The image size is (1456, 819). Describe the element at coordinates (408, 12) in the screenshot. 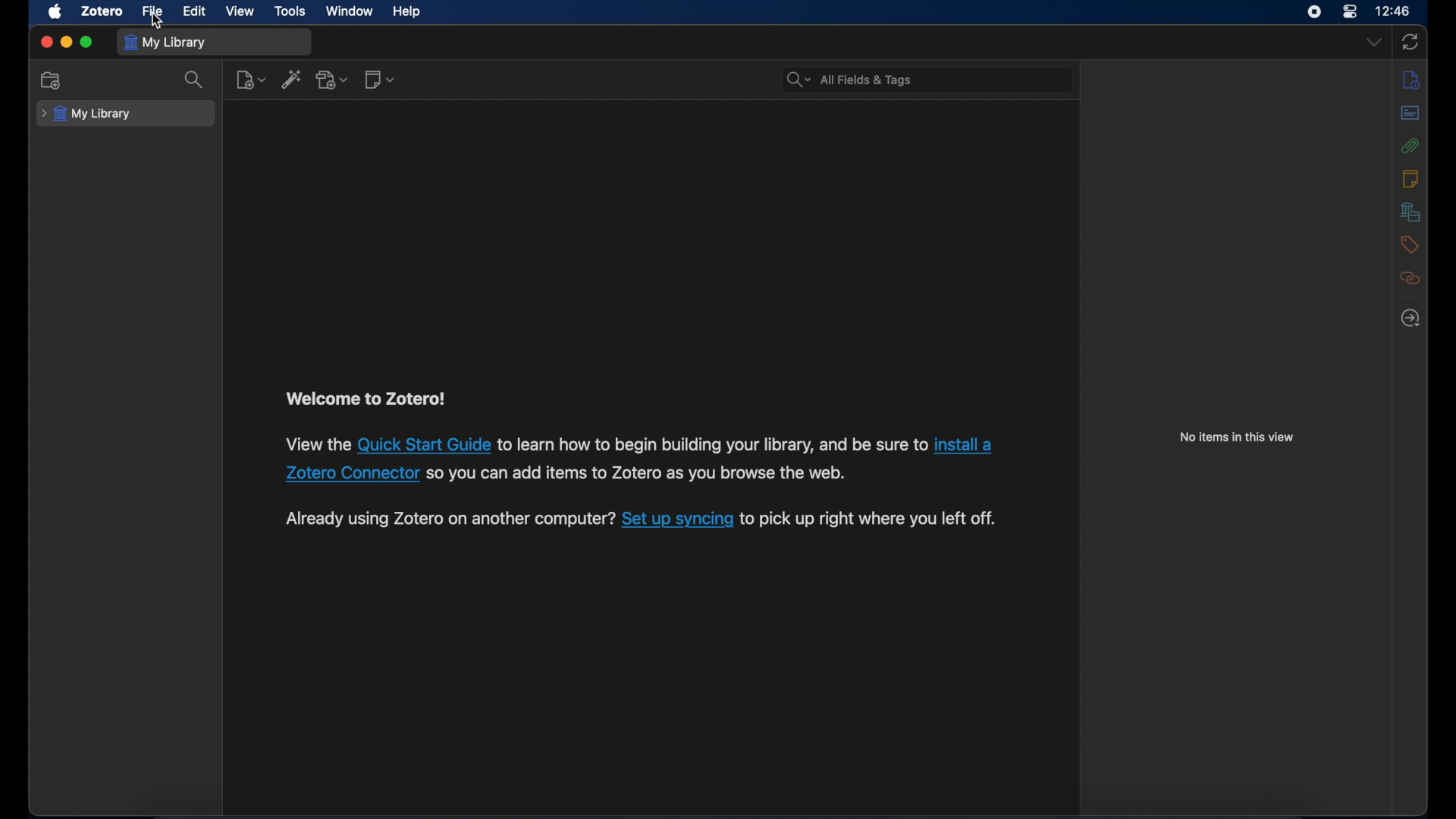

I see `help` at that location.